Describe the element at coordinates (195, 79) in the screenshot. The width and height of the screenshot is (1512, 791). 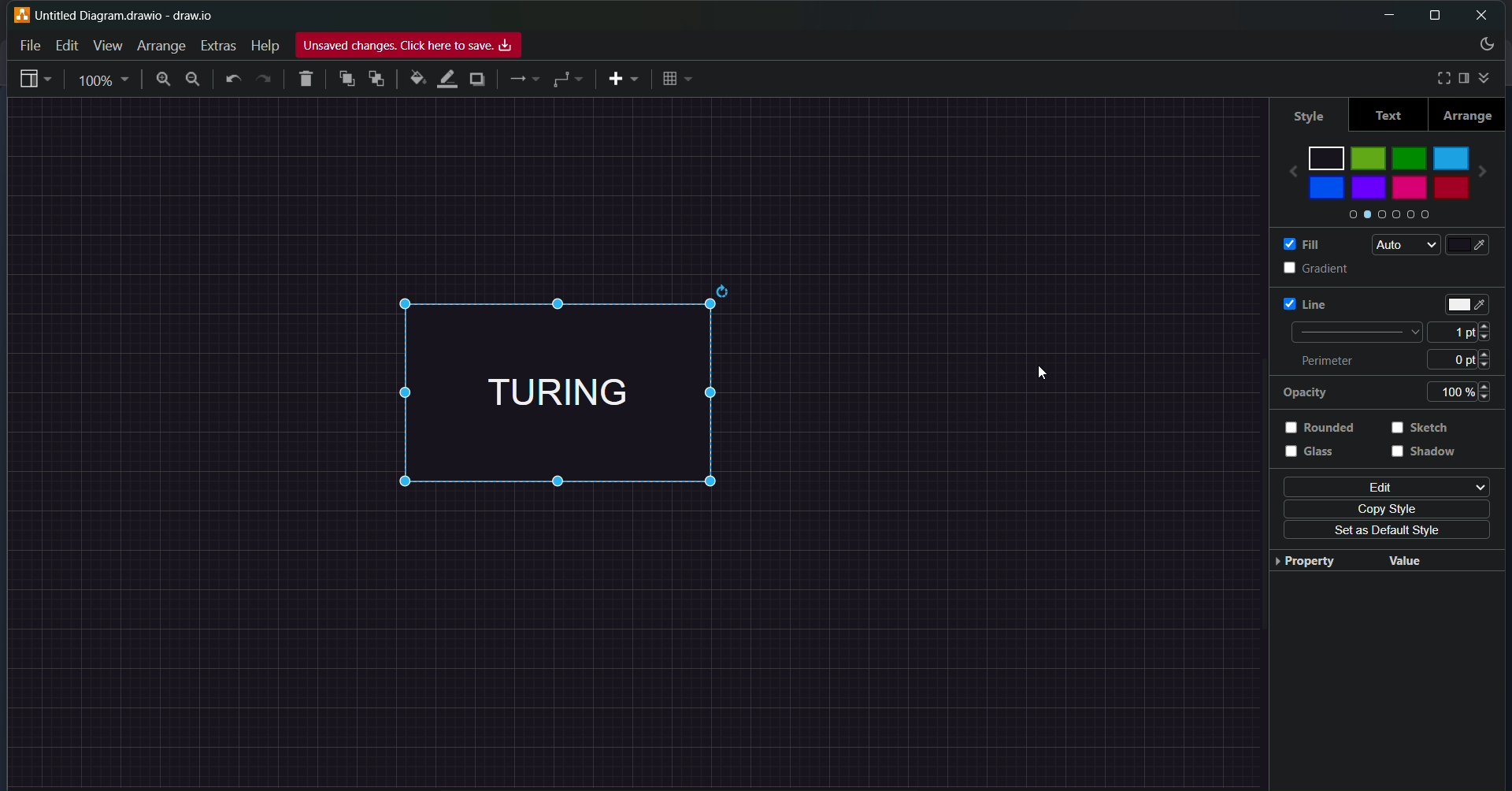
I see `zoom out` at that location.